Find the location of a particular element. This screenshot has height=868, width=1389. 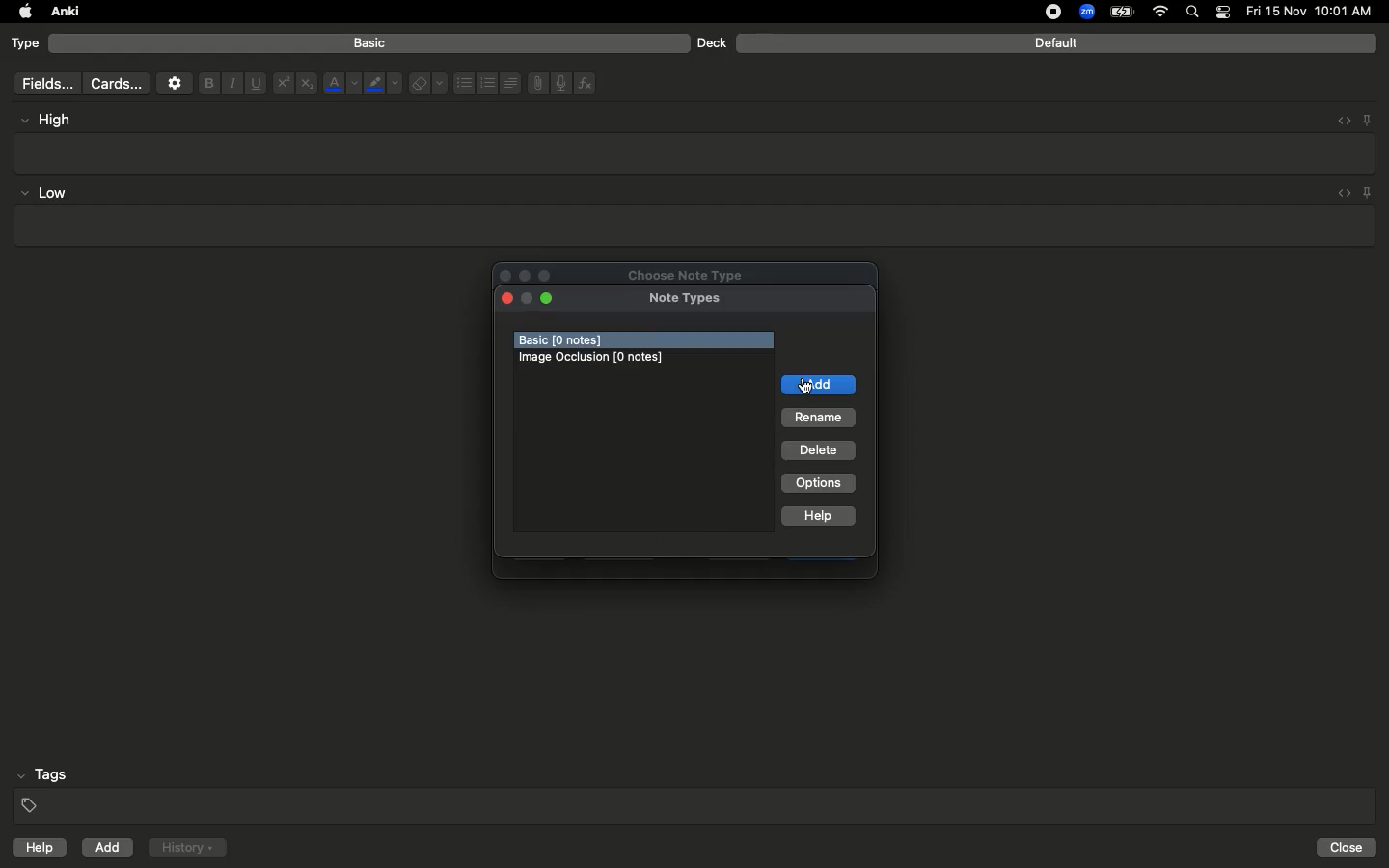

History is located at coordinates (187, 848).